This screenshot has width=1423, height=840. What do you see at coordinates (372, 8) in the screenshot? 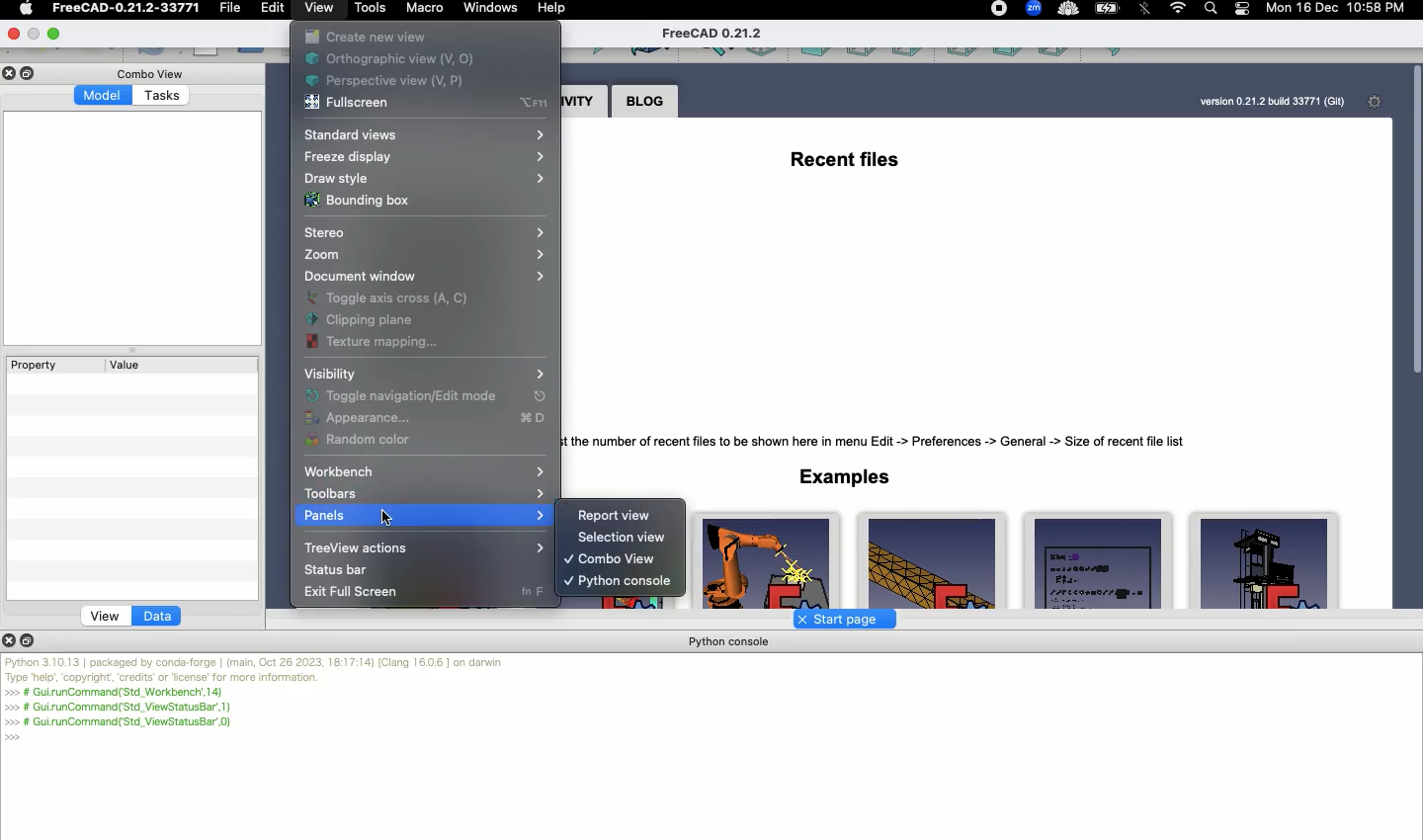
I see `Tools` at bounding box center [372, 8].